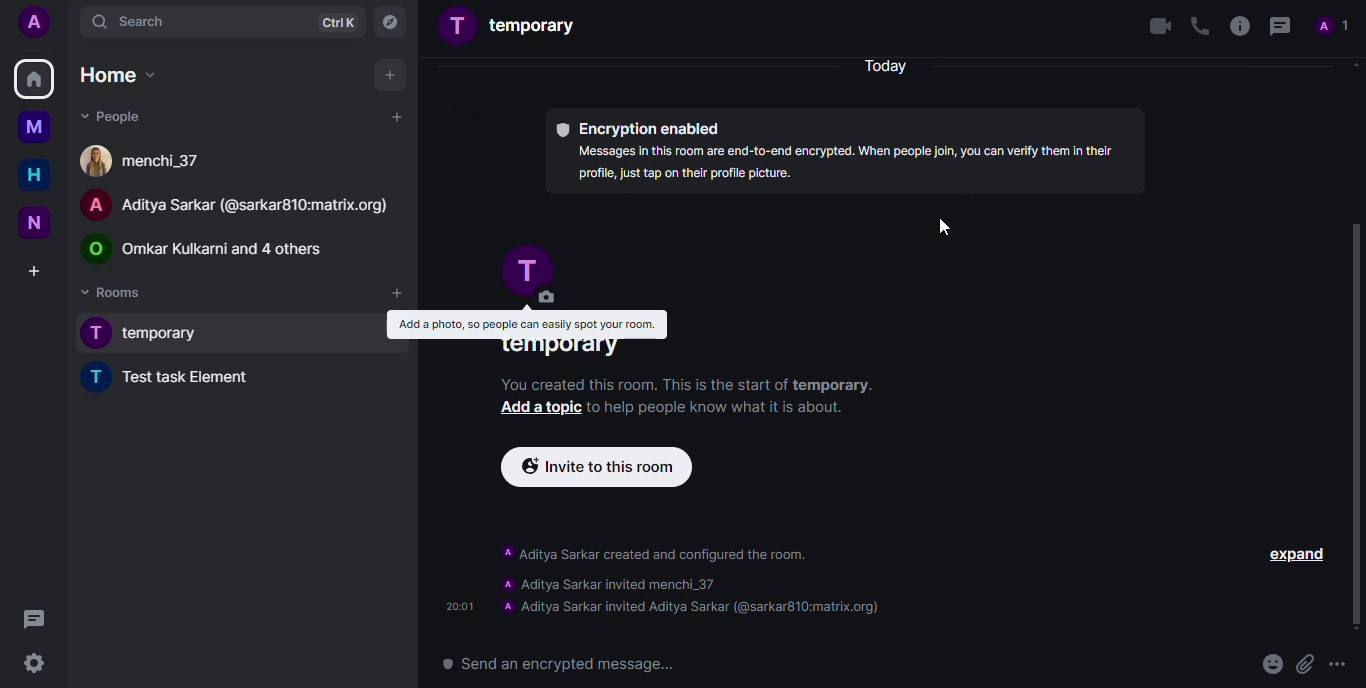 The image size is (1366, 688). I want to click on test task element, so click(179, 377).